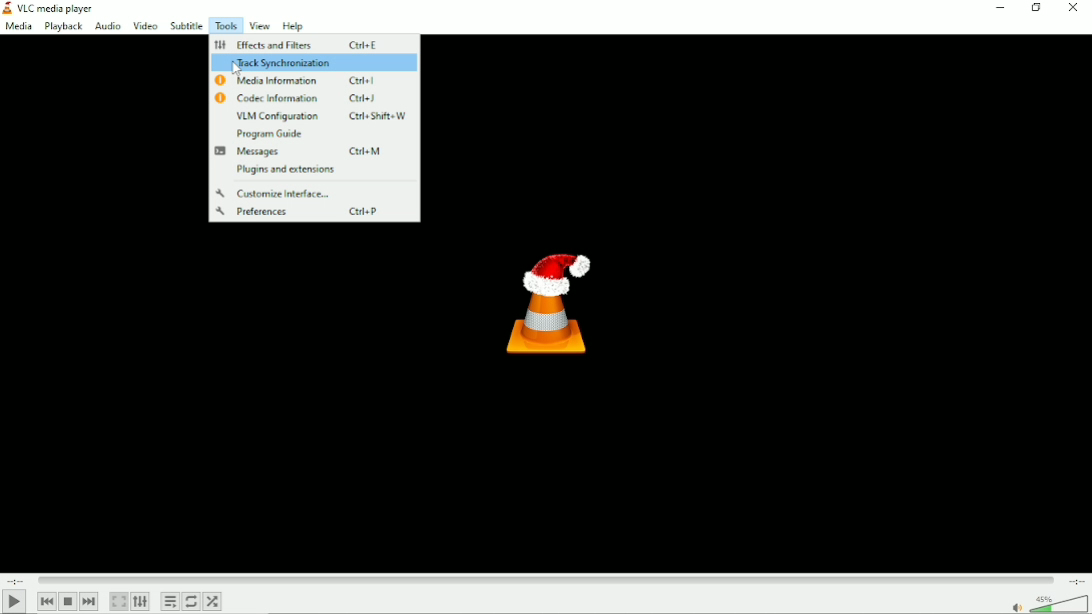 This screenshot has width=1092, height=614. What do you see at coordinates (16, 579) in the screenshot?
I see `Elapsed time` at bounding box center [16, 579].